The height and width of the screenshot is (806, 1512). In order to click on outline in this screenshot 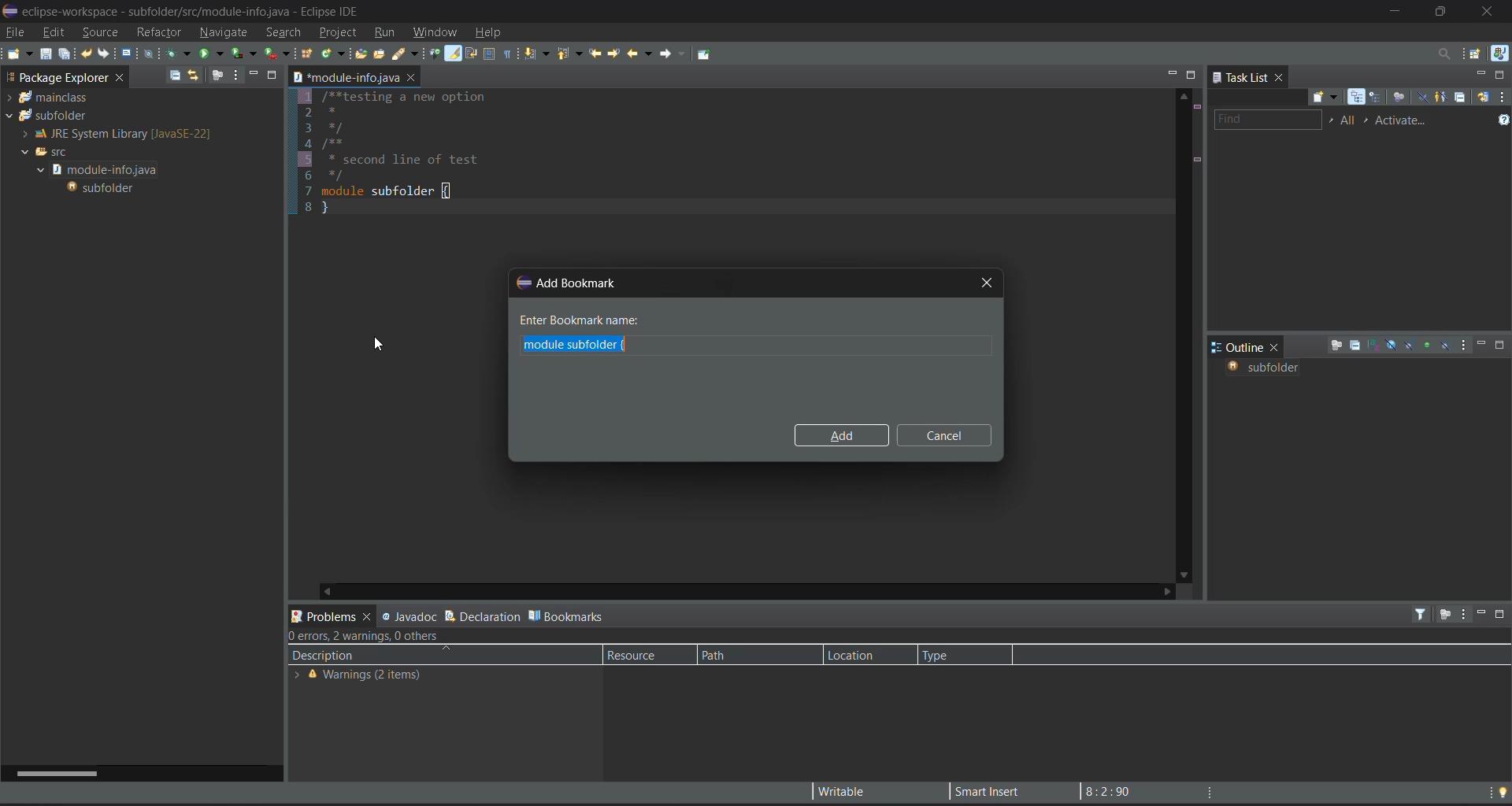, I will do `click(1238, 347)`.